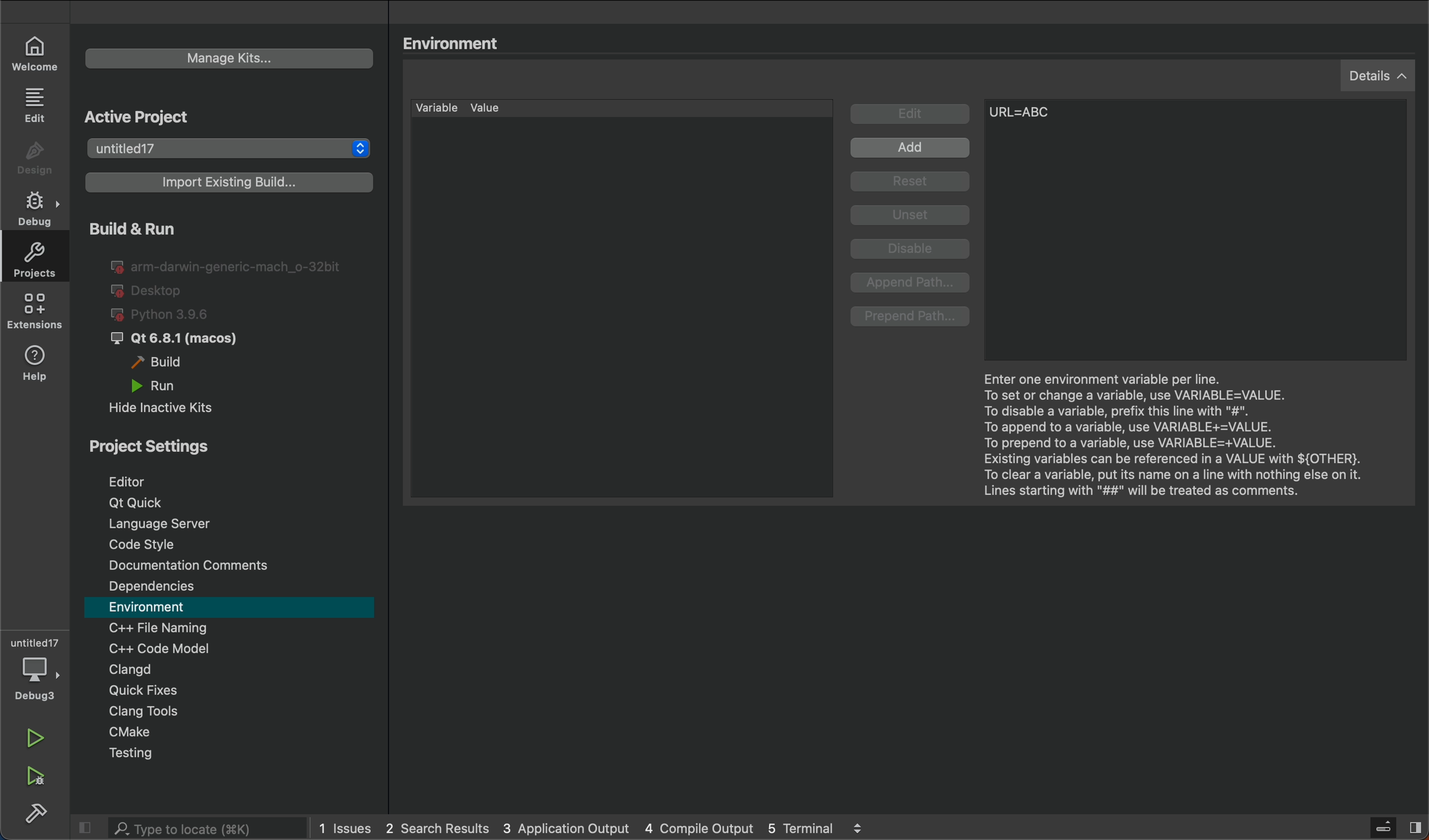  What do you see at coordinates (34, 257) in the screenshot?
I see `projects` at bounding box center [34, 257].